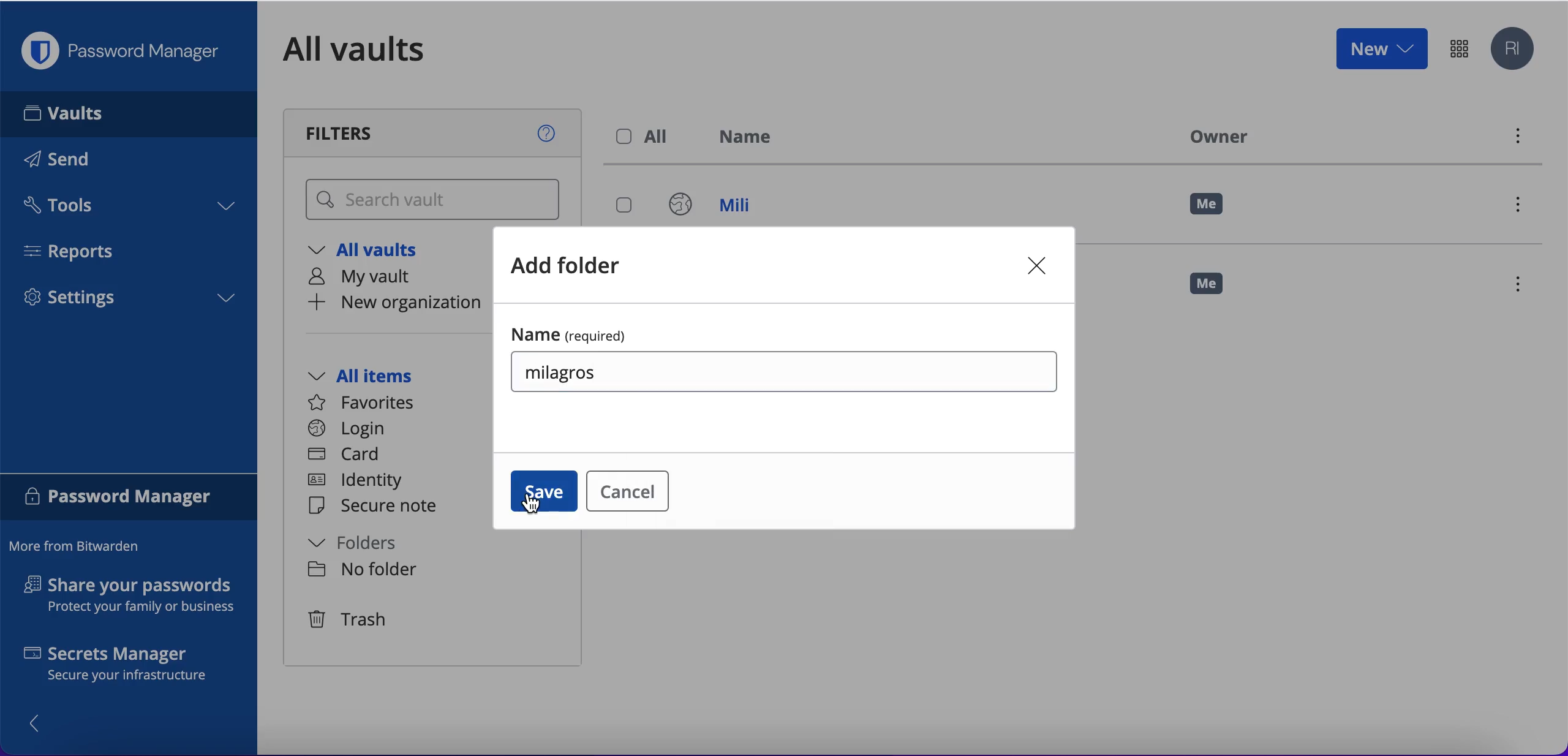 The height and width of the screenshot is (756, 1568). Describe the element at coordinates (571, 265) in the screenshot. I see `add folder` at that location.